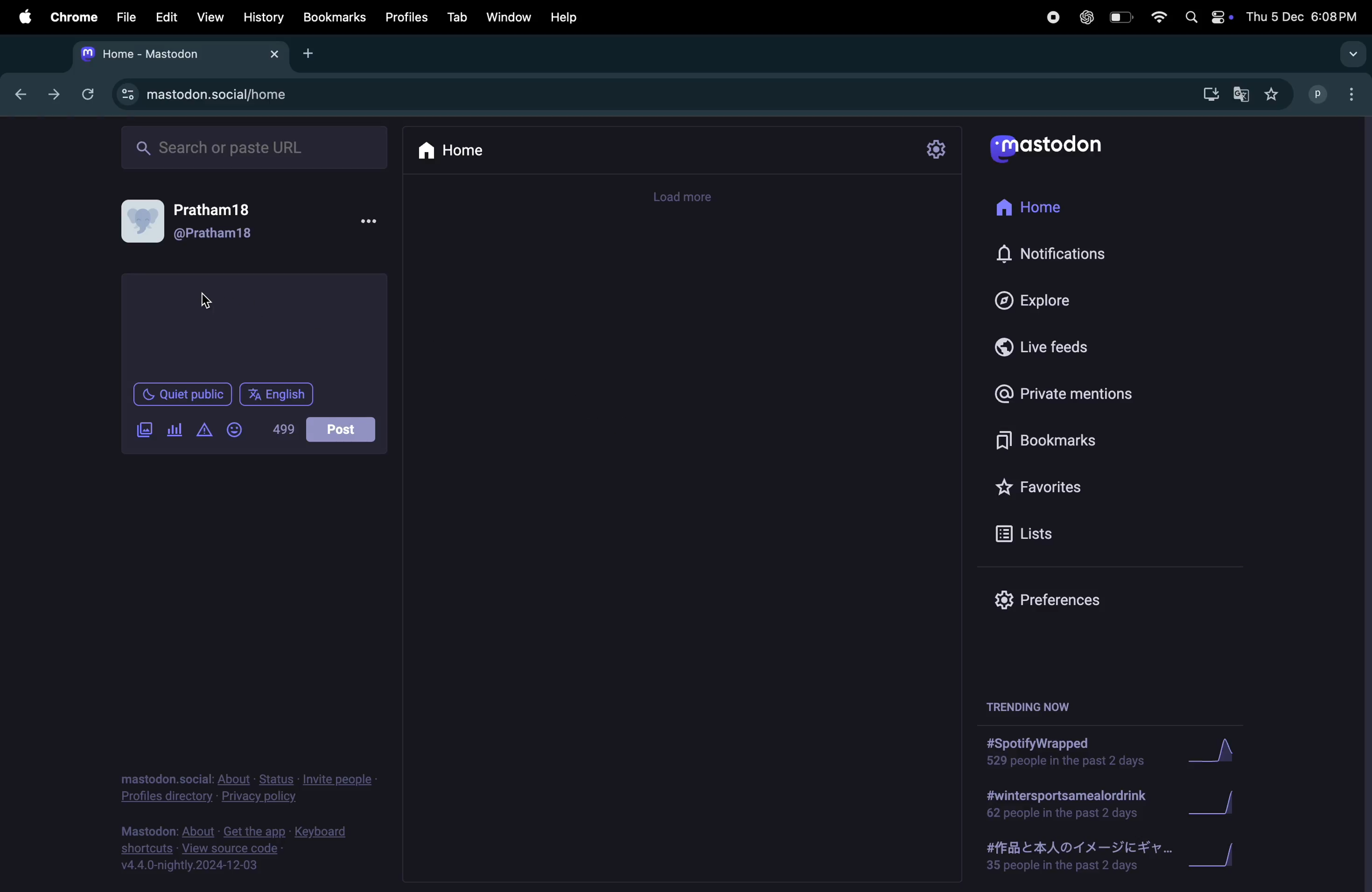 This screenshot has width=1372, height=892. What do you see at coordinates (683, 196) in the screenshot?
I see `load more` at bounding box center [683, 196].